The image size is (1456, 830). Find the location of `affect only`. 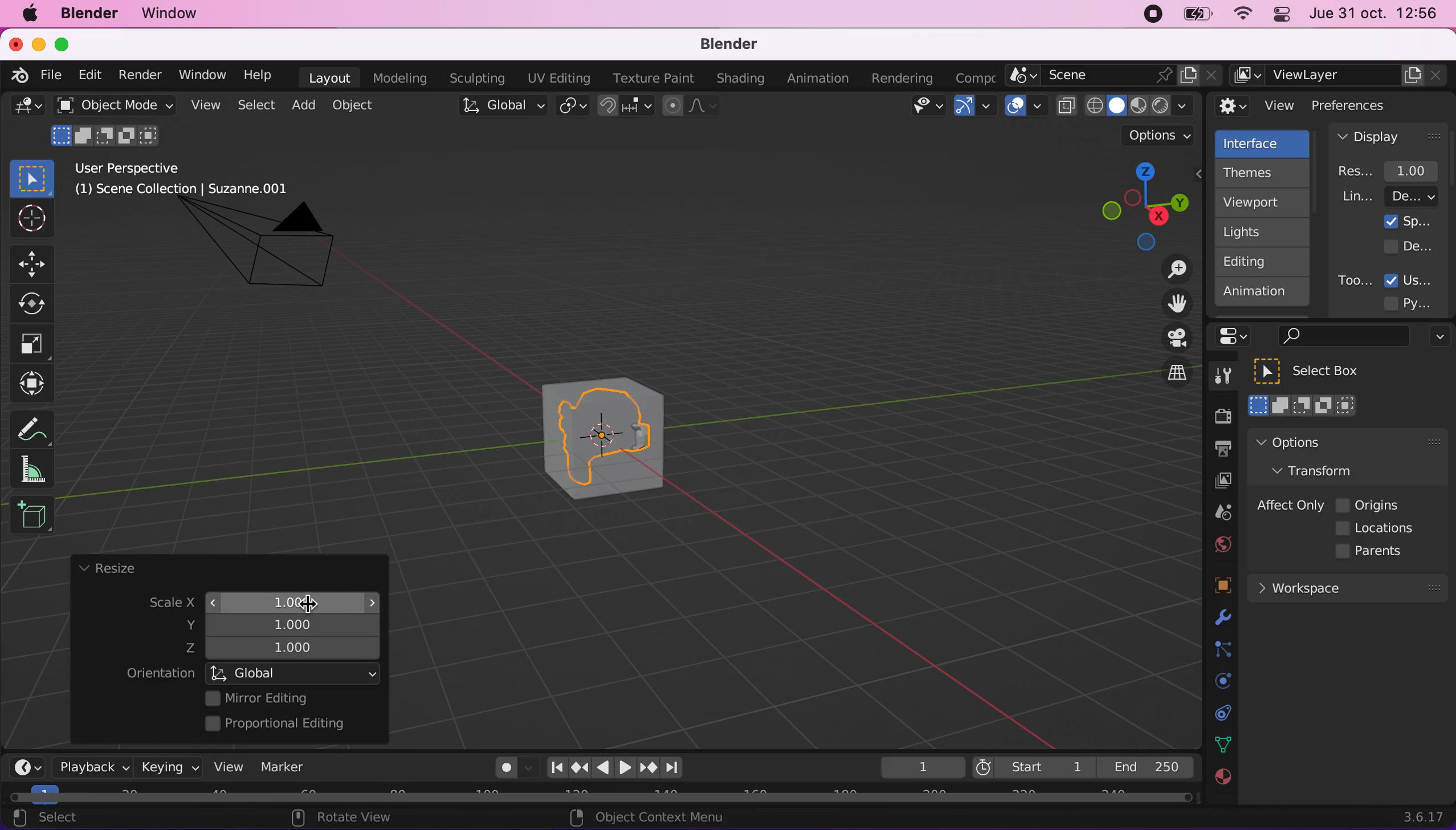

affect only is located at coordinates (1288, 505).